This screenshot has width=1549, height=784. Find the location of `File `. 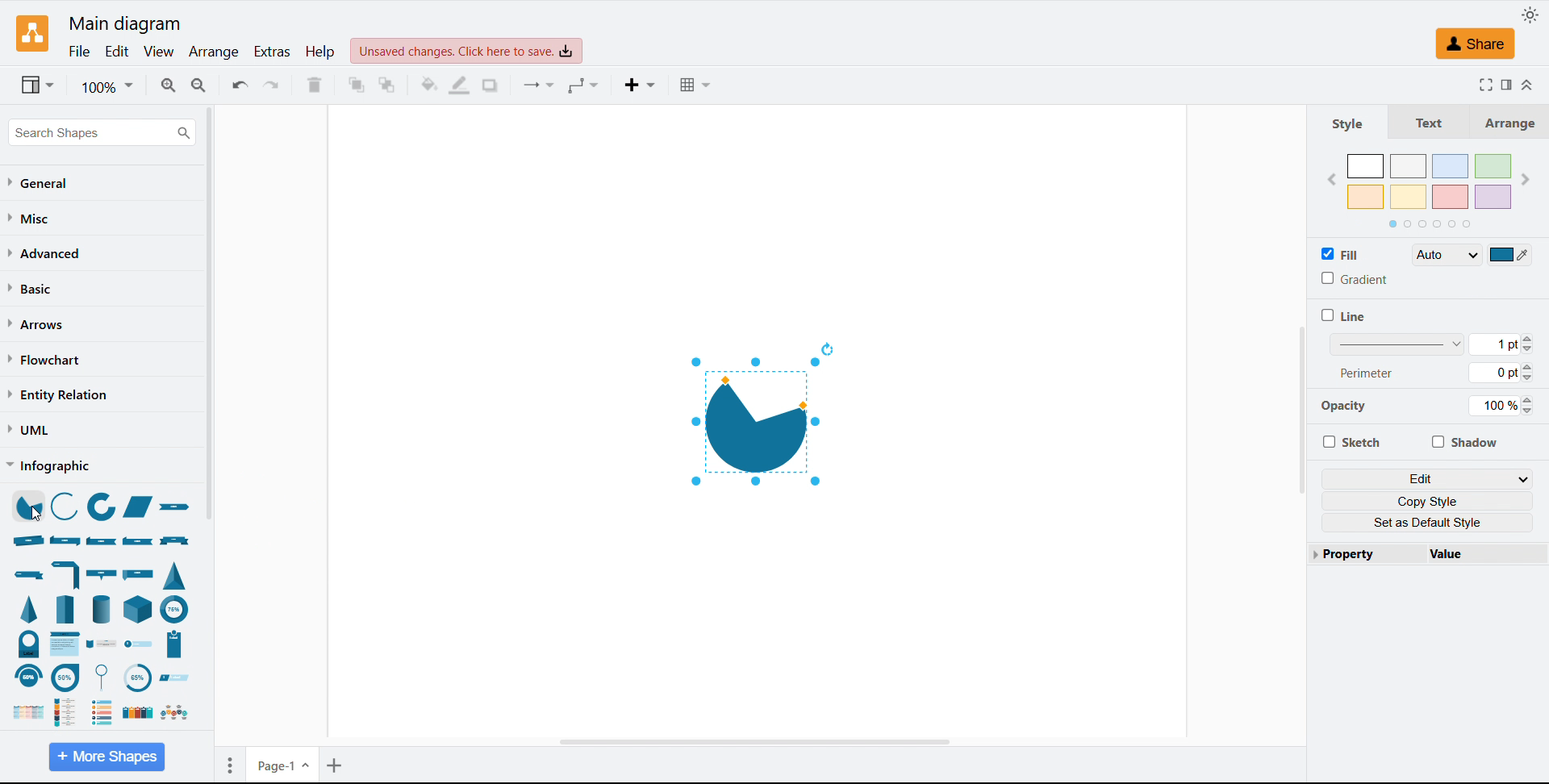

File  is located at coordinates (78, 52).